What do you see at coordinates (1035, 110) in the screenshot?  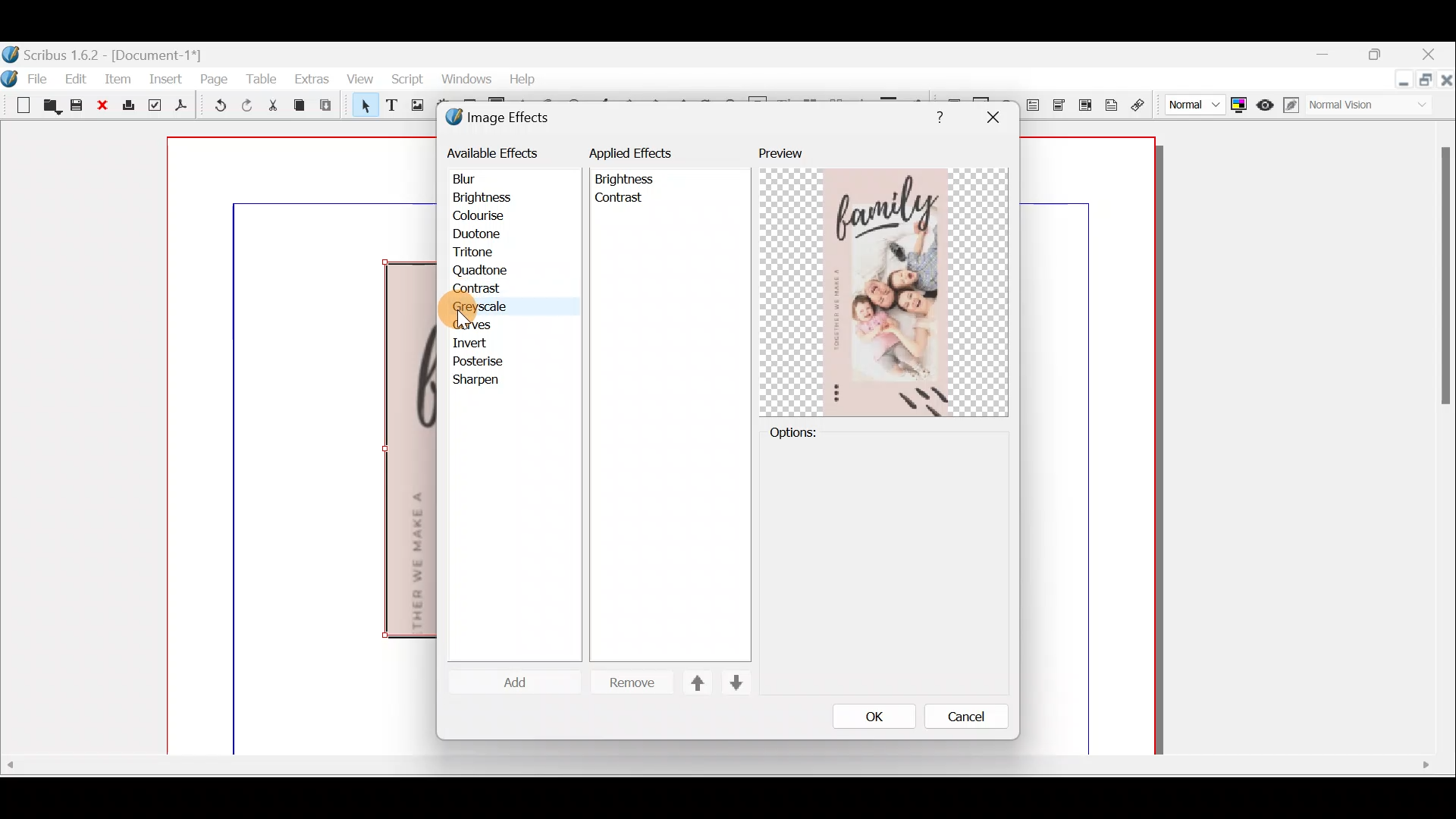 I see `PDF text field` at bounding box center [1035, 110].